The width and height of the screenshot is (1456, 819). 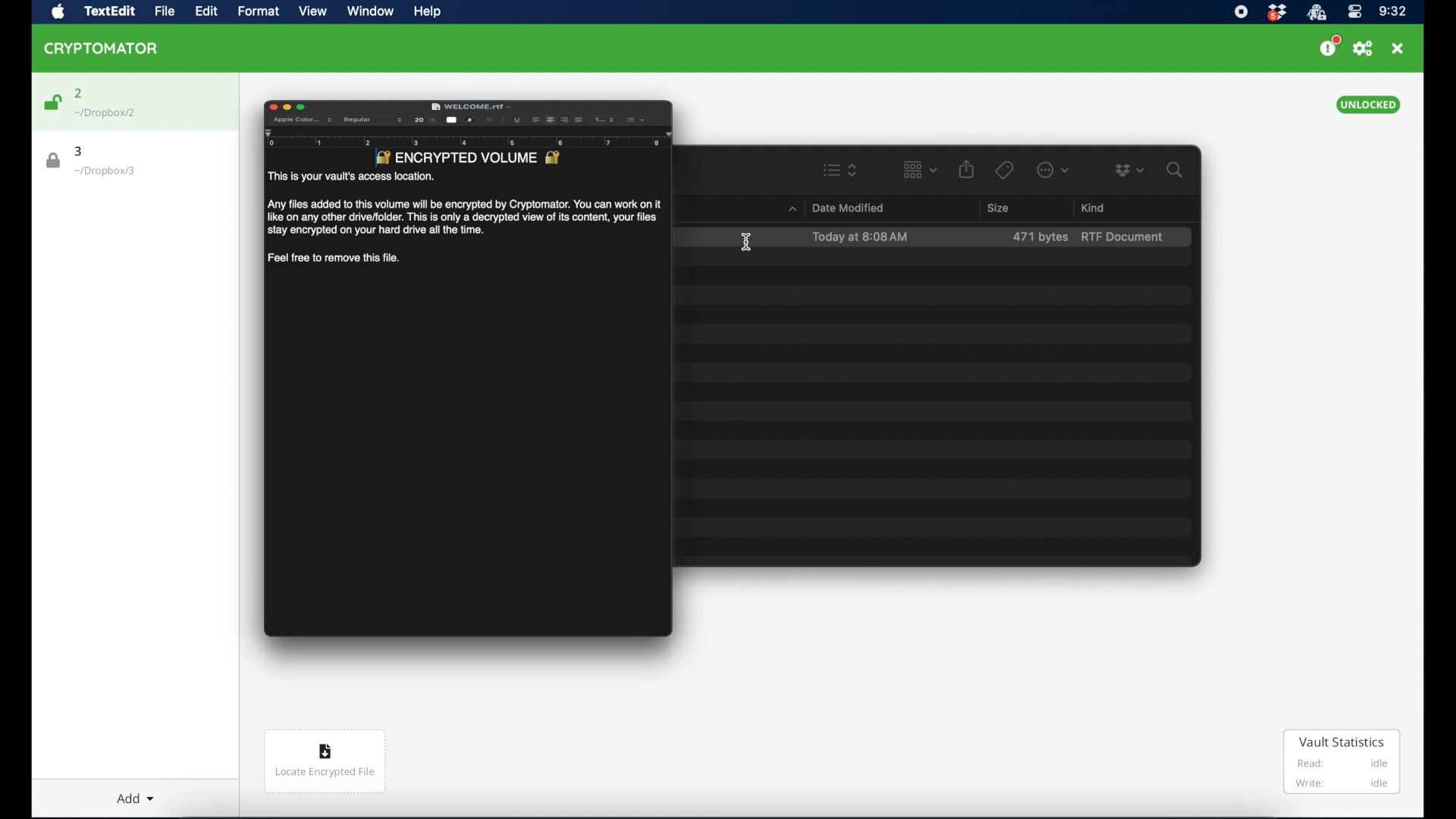 What do you see at coordinates (1330, 47) in the screenshot?
I see `support us` at bounding box center [1330, 47].